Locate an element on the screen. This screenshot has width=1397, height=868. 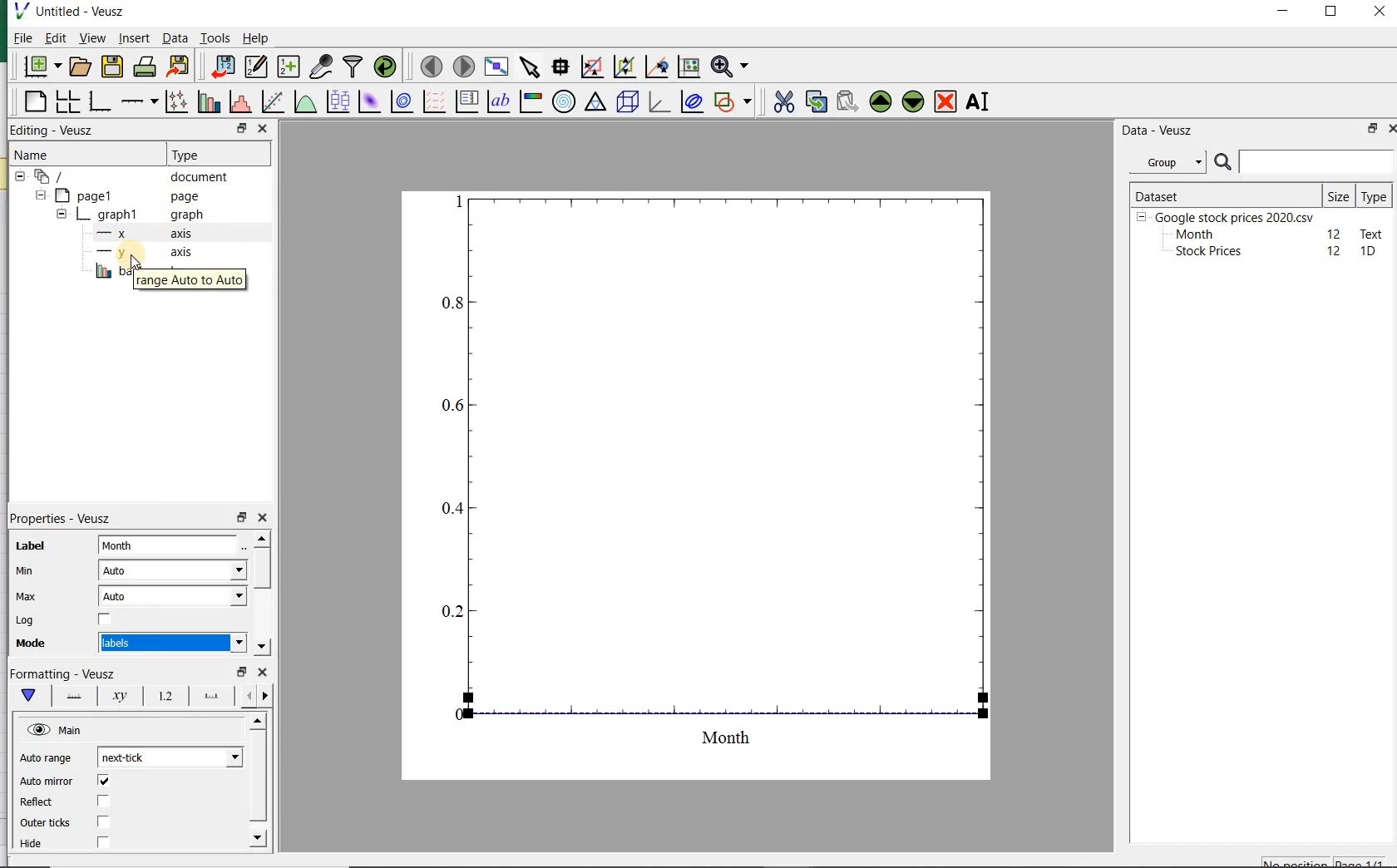
Max is located at coordinates (27, 598).